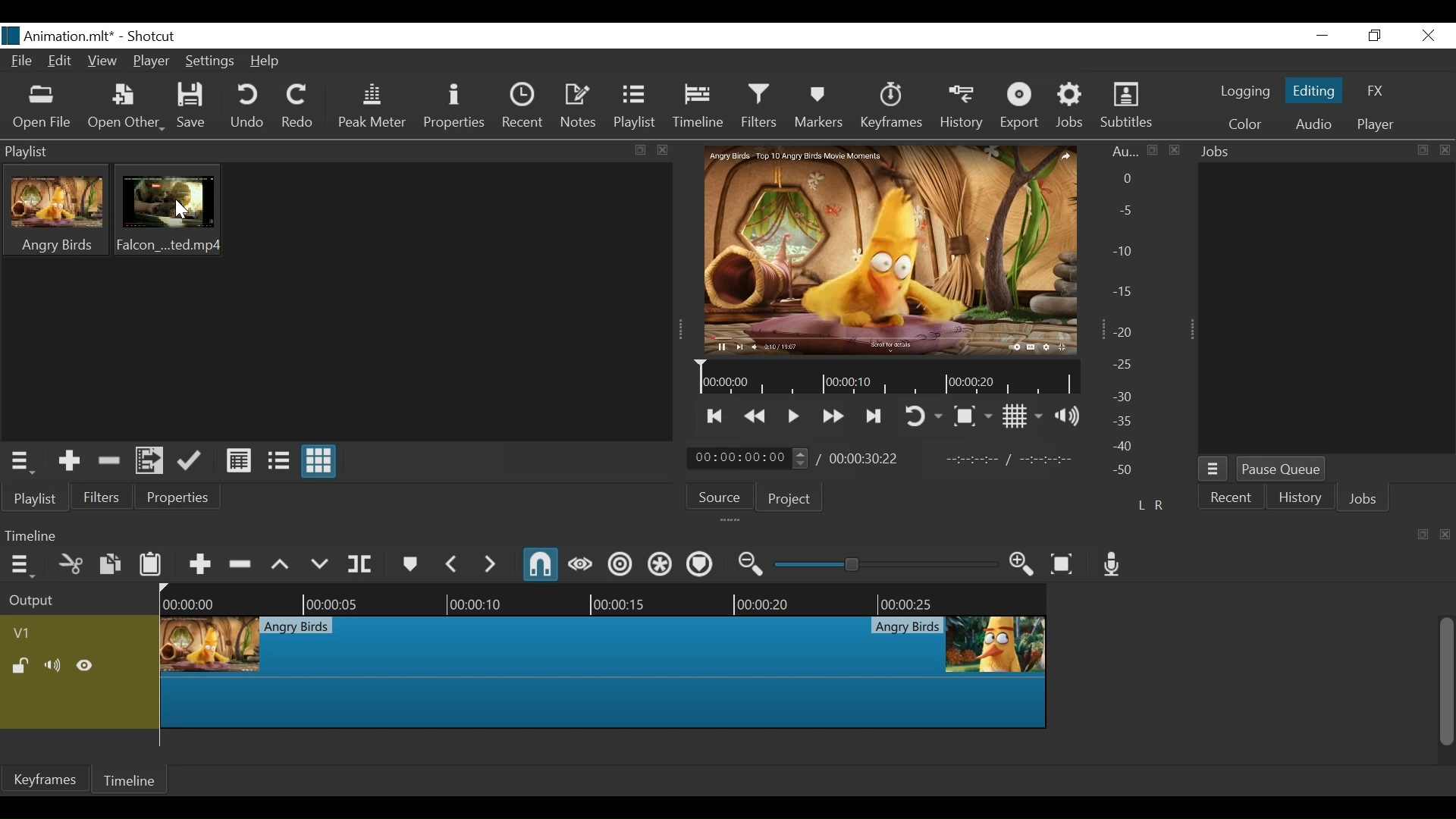  Describe the element at coordinates (700, 107) in the screenshot. I see `Timeline` at that location.